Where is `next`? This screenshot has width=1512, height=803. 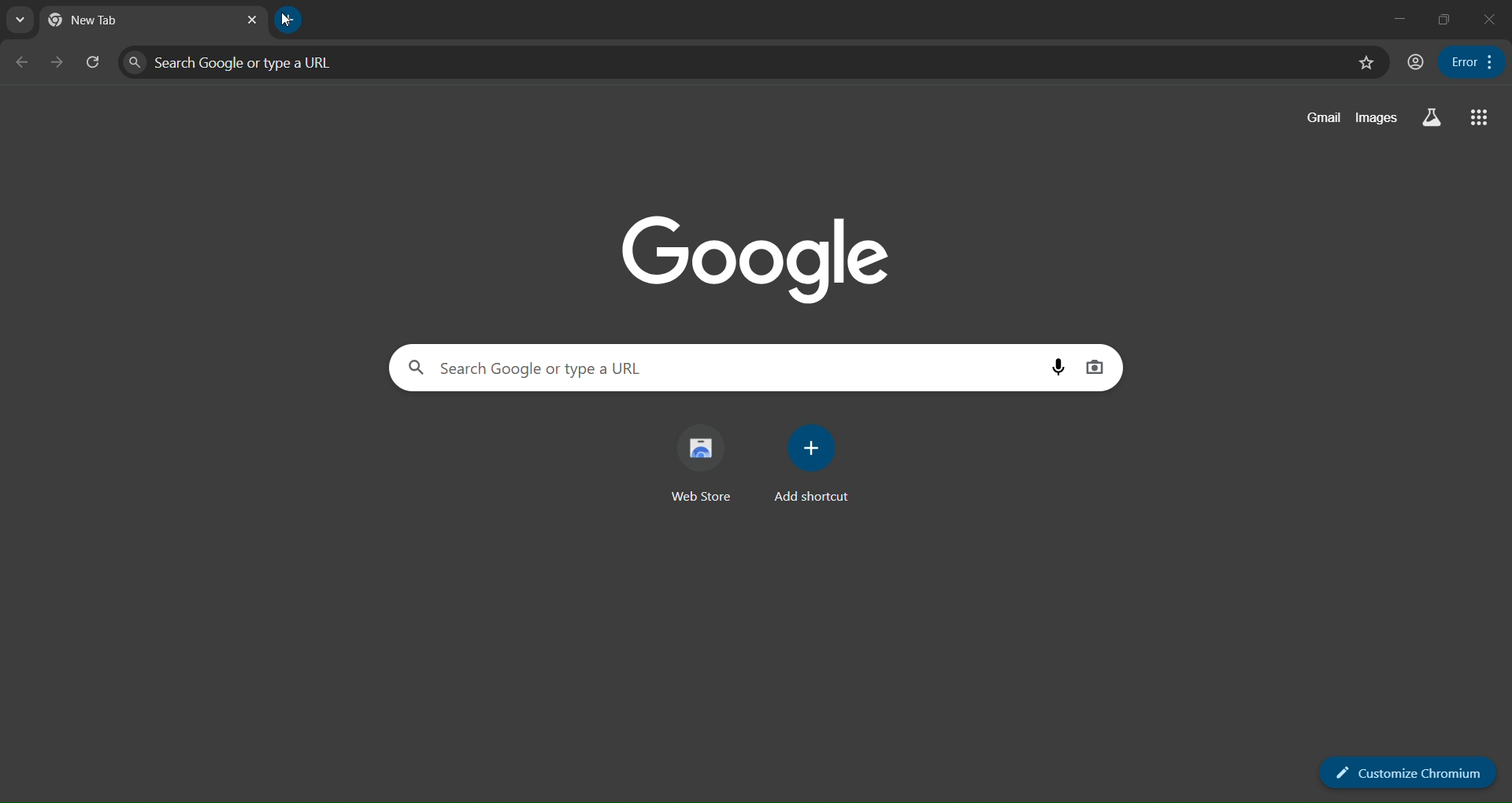 next is located at coordinates (55, 63).